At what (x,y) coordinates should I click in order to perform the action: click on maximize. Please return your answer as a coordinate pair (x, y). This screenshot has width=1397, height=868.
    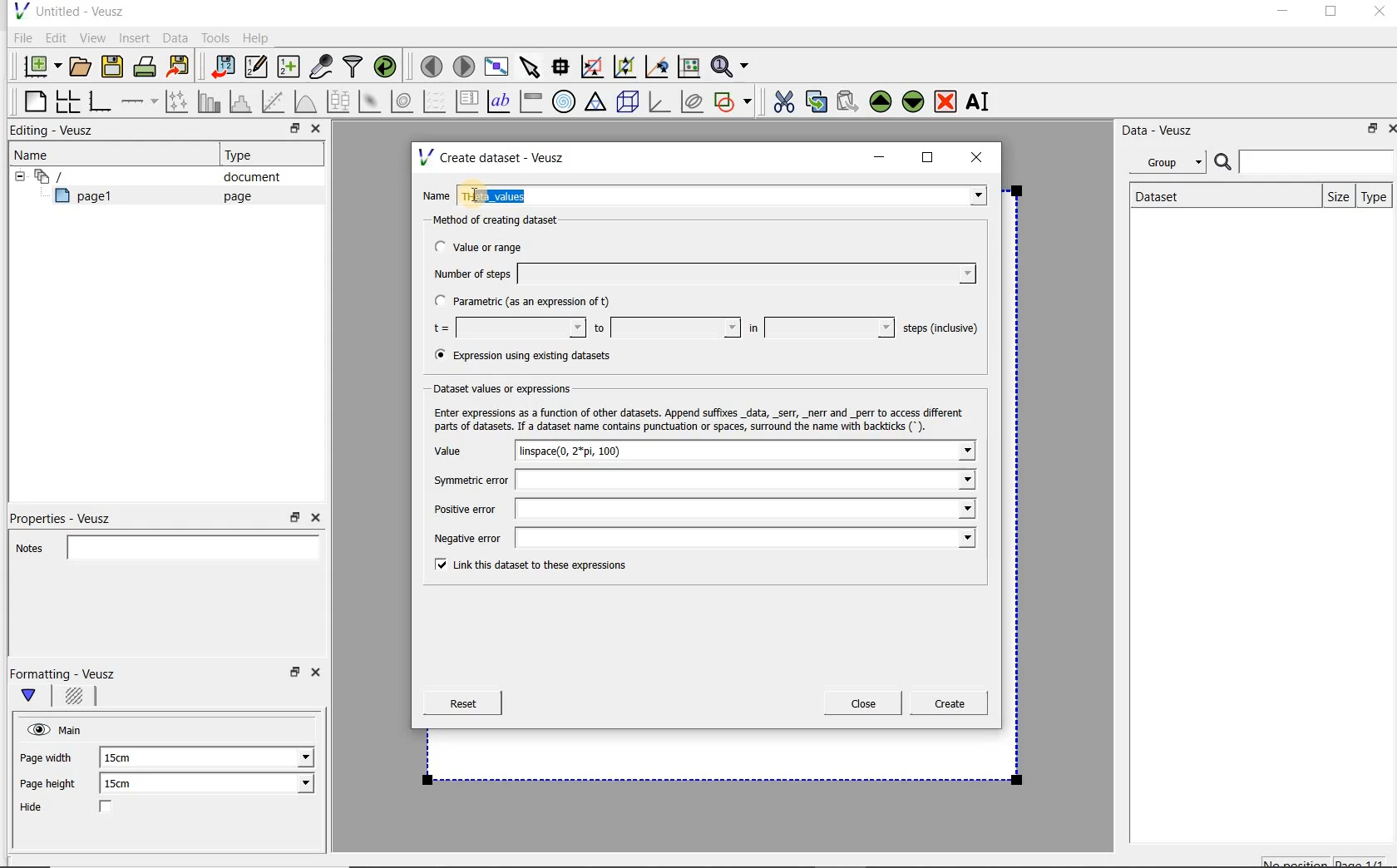
    Looking at the image, I should click on (1331, 14).